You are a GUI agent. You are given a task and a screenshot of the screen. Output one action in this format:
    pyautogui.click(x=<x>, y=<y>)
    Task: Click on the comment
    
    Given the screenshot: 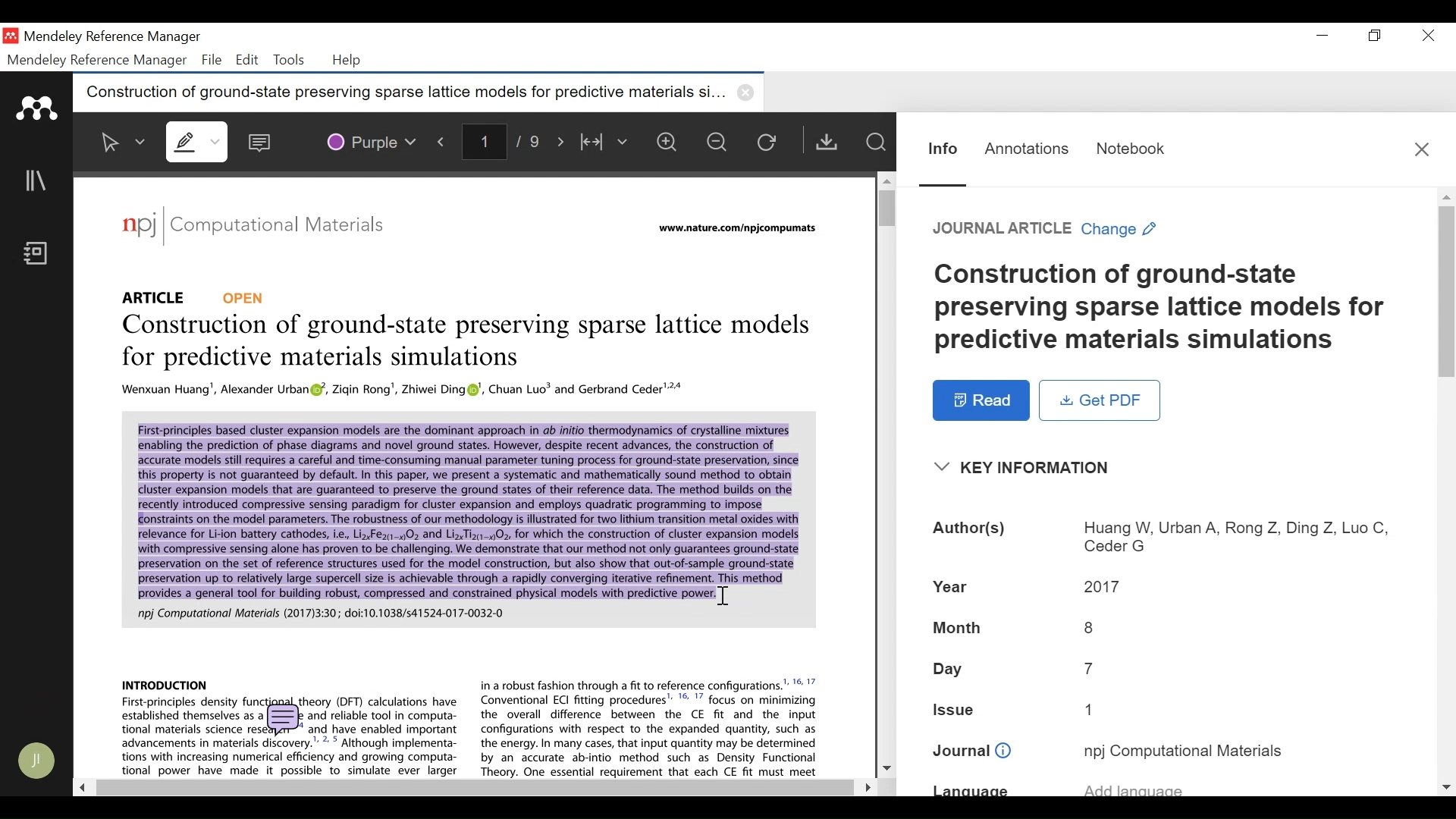 What is the action you would take?
    pyautogui.click(x=286, y=720)
    